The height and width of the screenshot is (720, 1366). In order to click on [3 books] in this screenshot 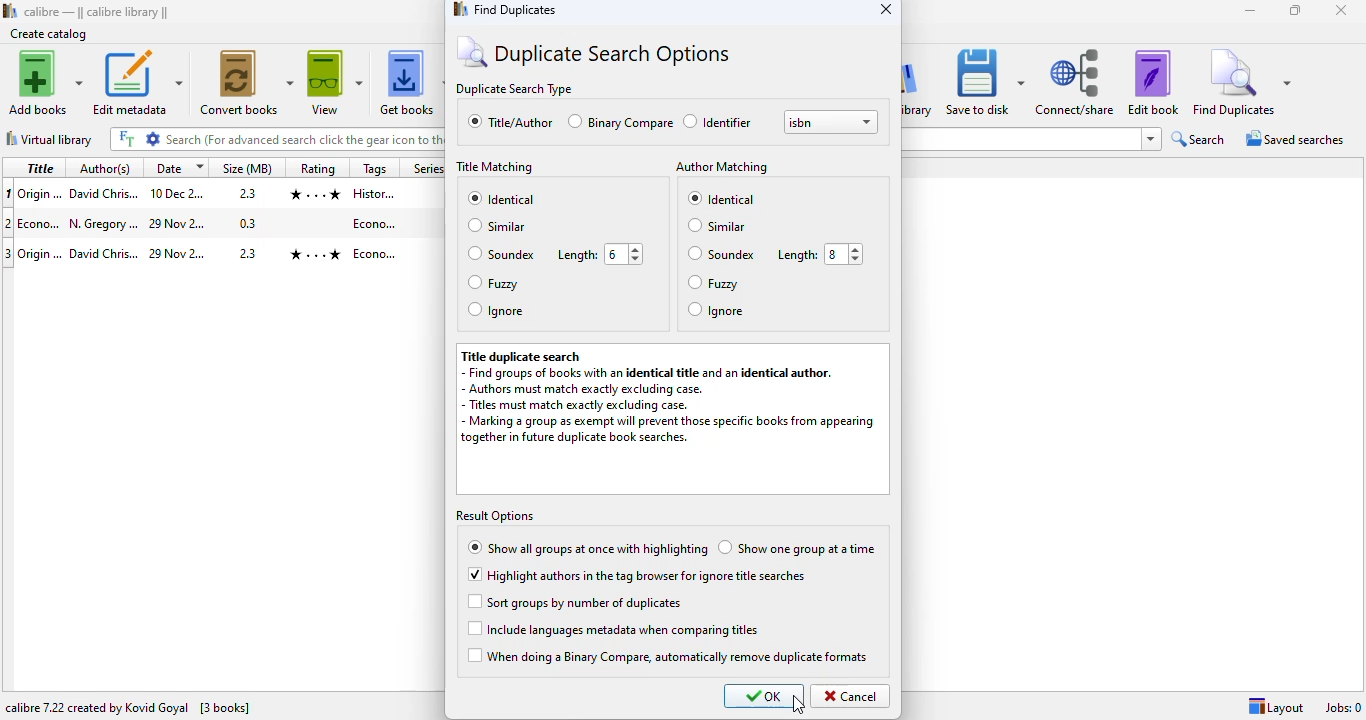, I will do `click(225, 707)`.